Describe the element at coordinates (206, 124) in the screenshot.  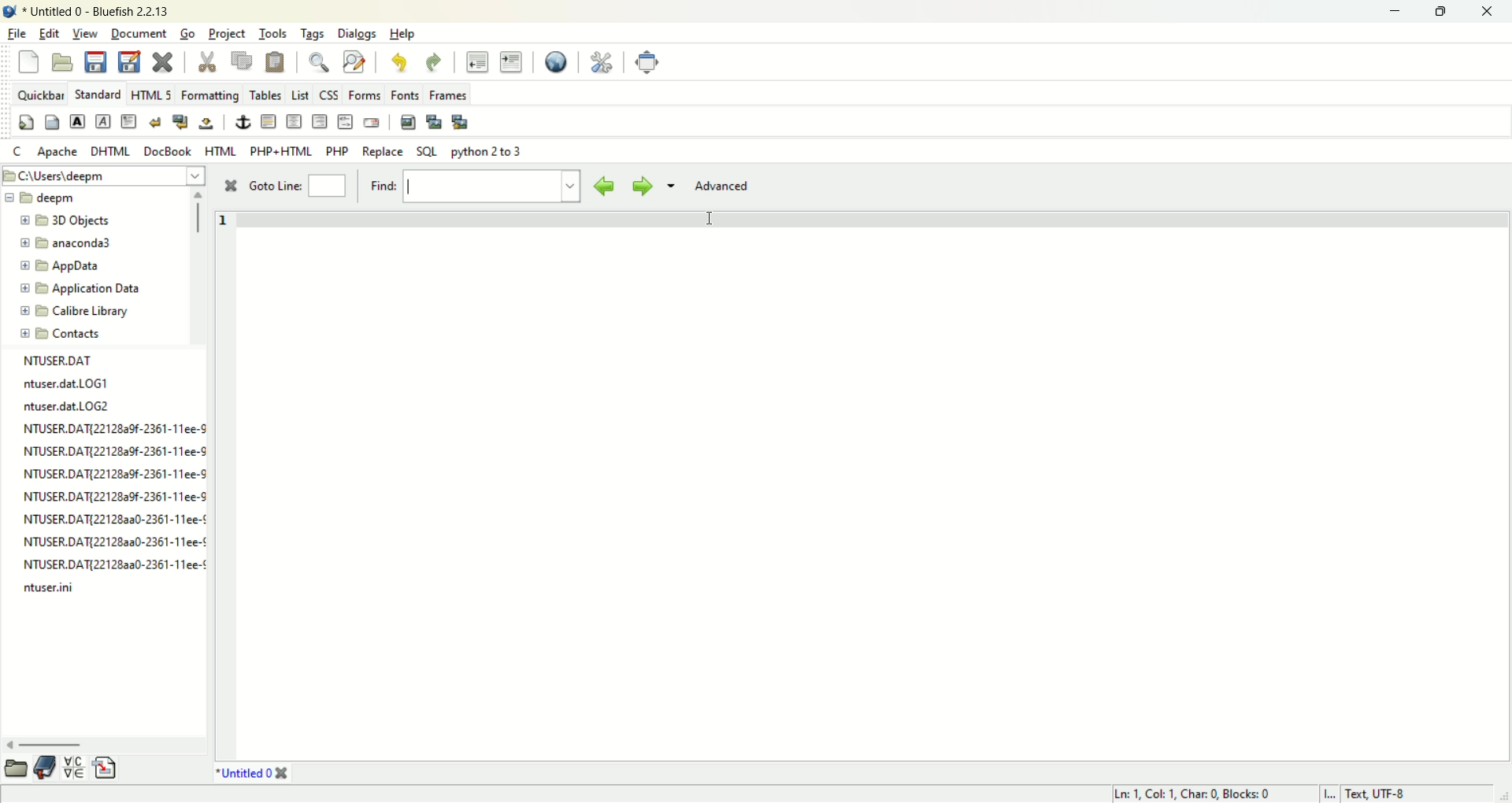
I see `non breaking space` at that location.